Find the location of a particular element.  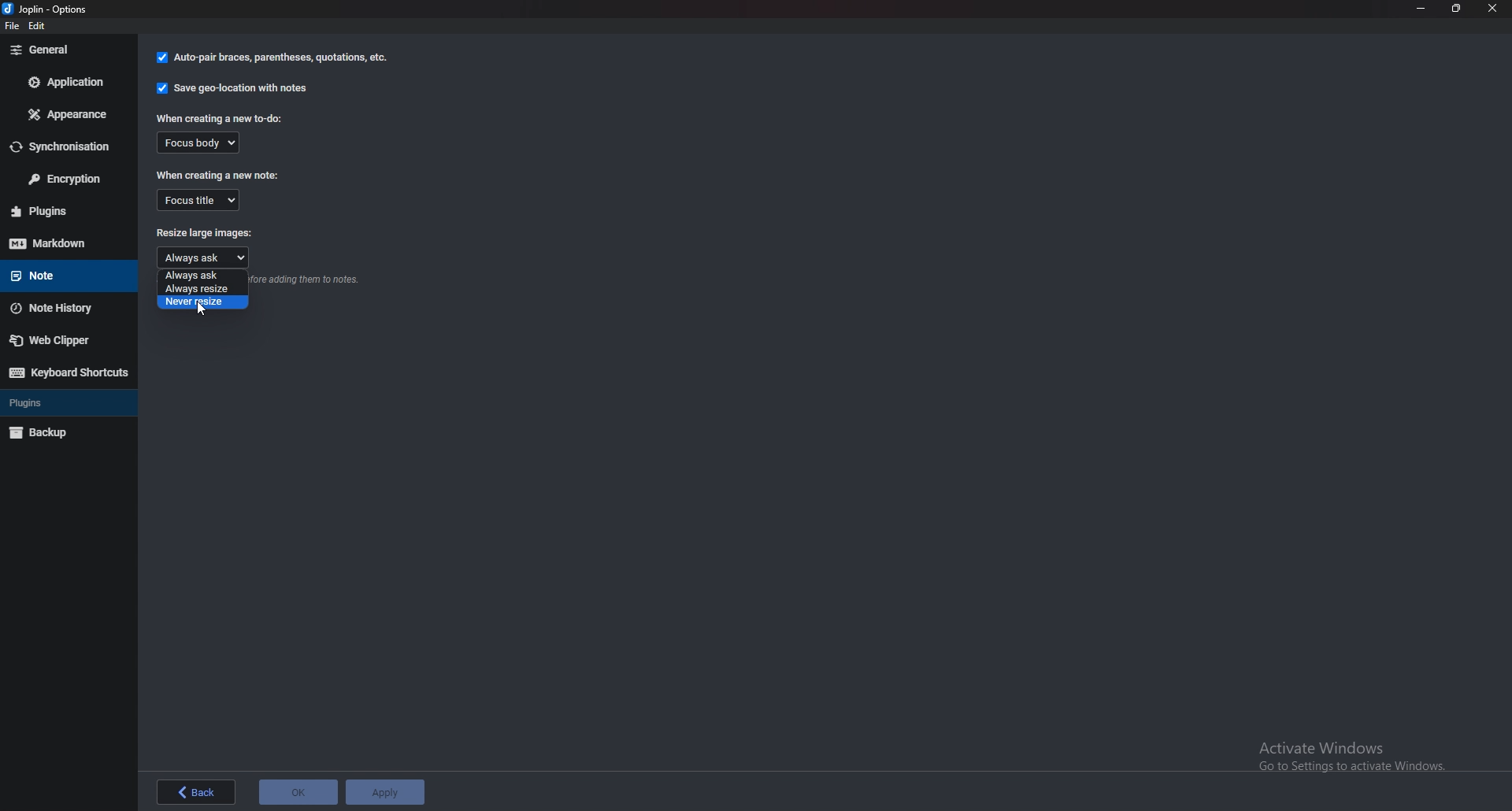

cursor is located at coordinates (199, 306).